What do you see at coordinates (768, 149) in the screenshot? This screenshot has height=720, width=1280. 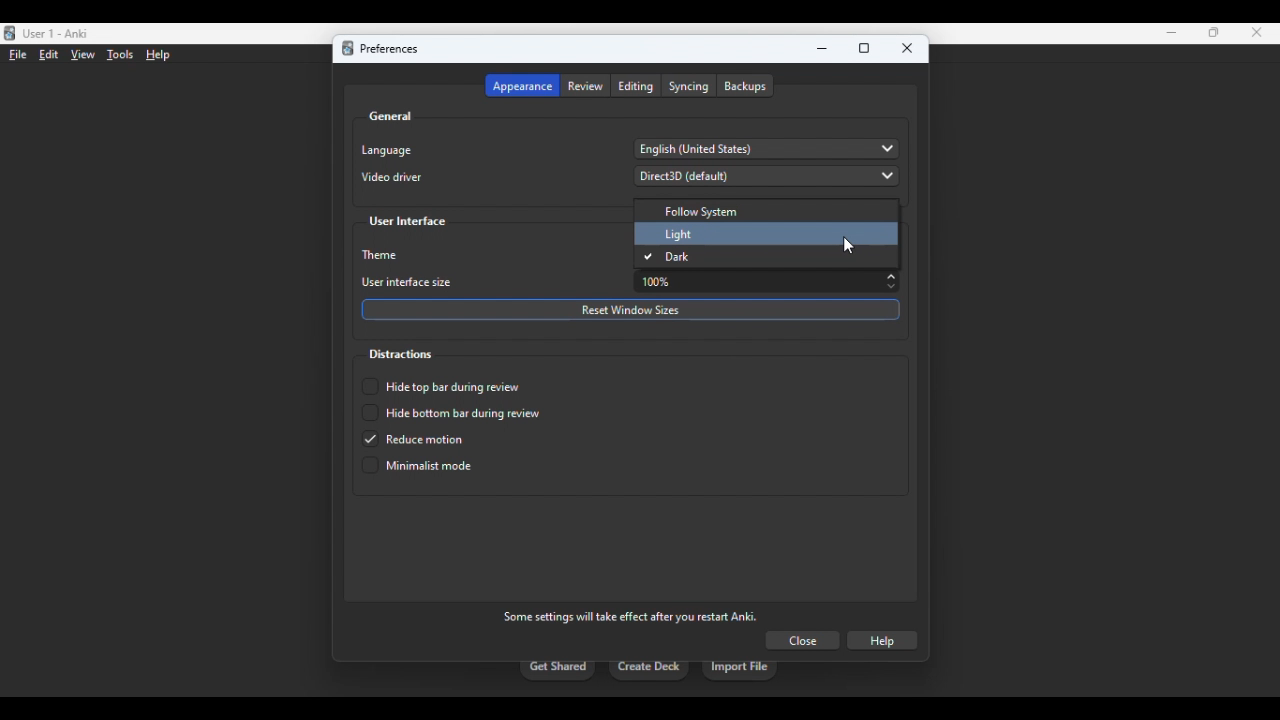 I see `english (United States)` at bounding box center [768, 149].